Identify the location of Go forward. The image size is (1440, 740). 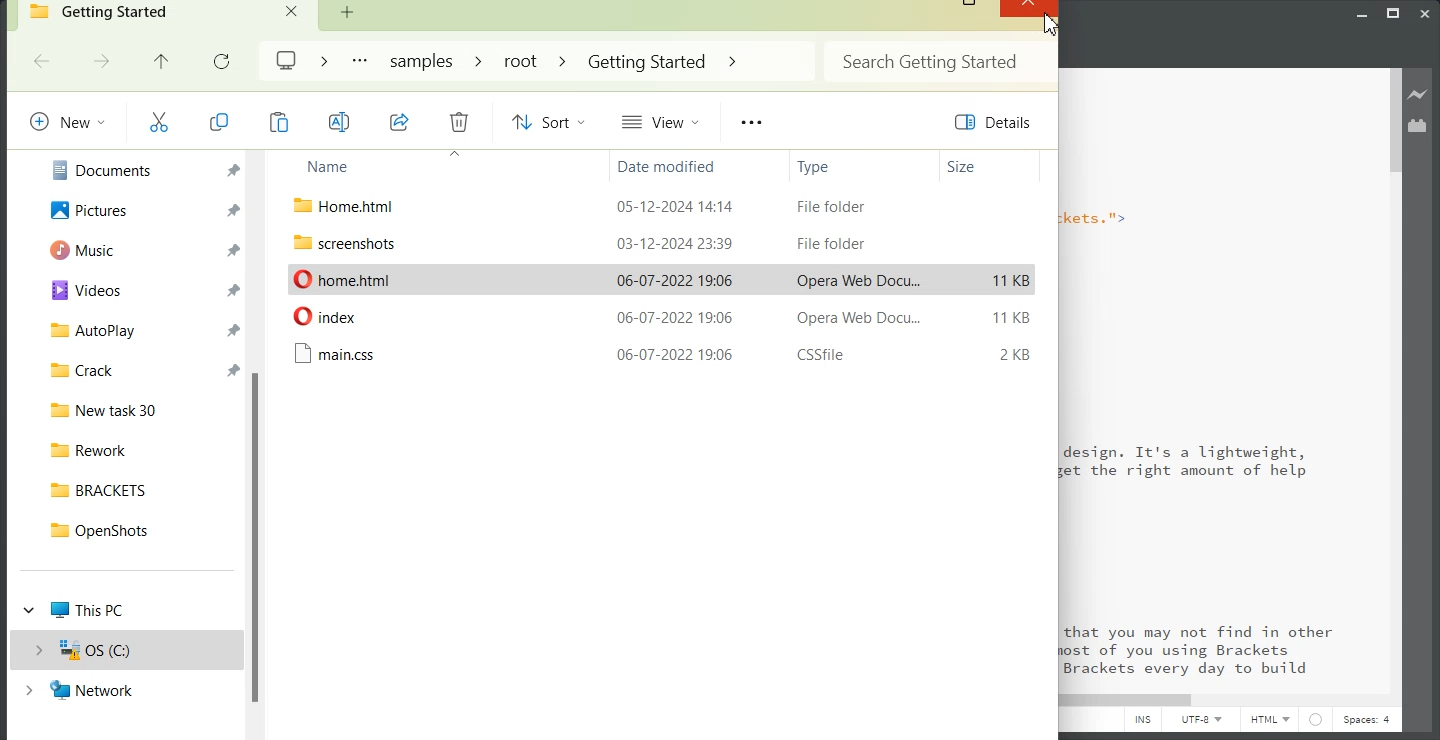
(102, 61).